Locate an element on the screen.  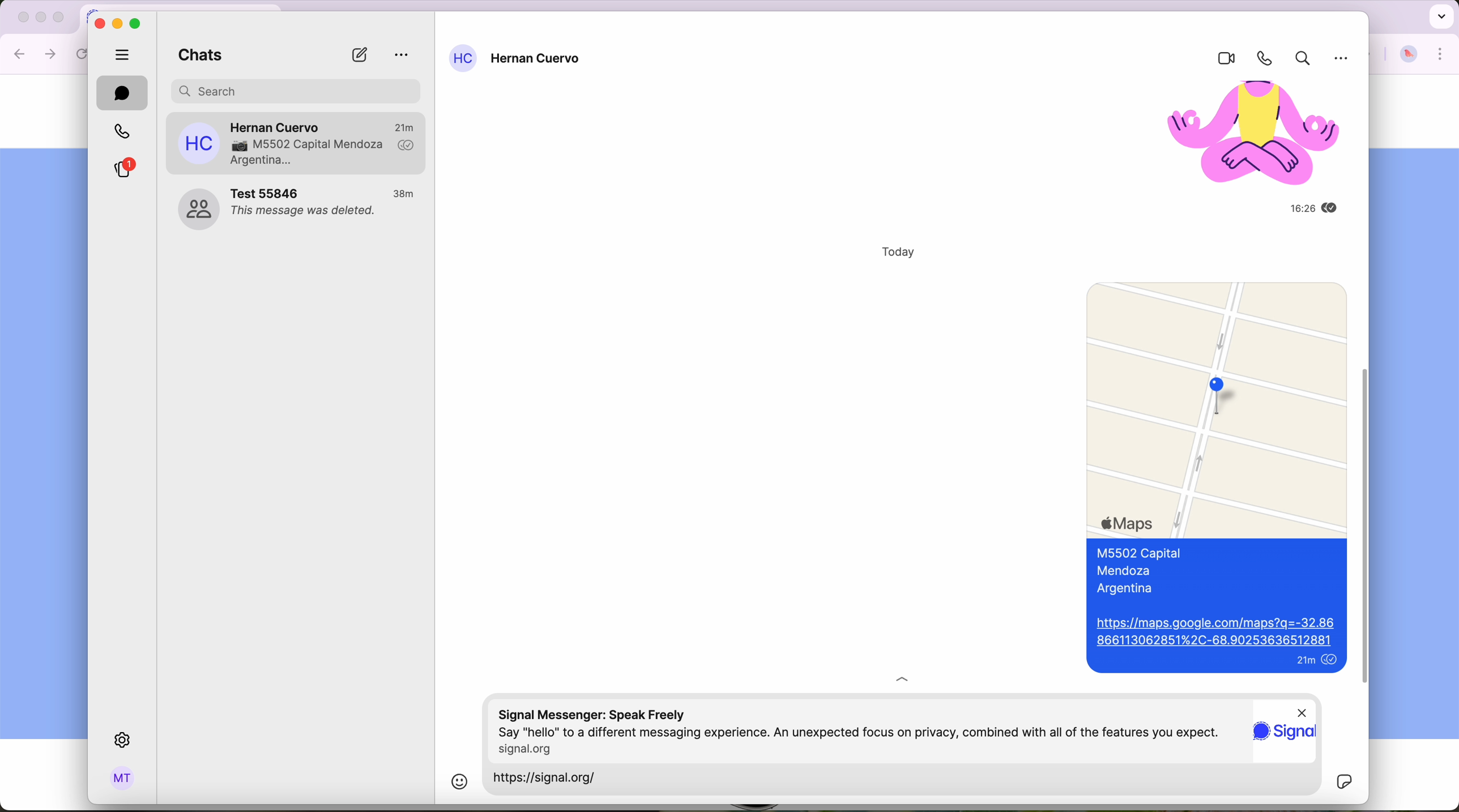
profile is located at coordinates (123, 780).